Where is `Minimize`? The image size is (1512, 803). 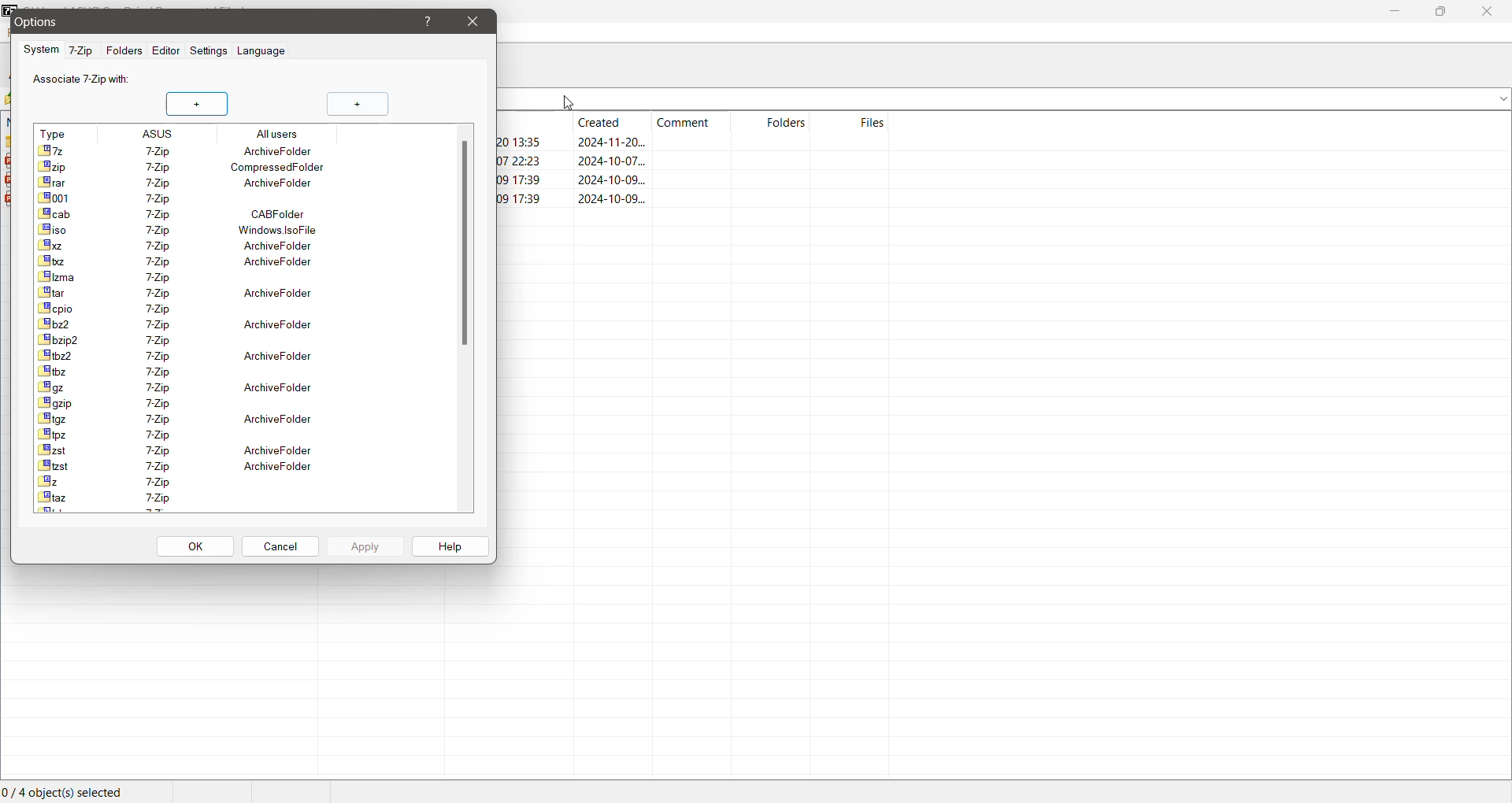 Minimize is located at coordinates (1394, 12).